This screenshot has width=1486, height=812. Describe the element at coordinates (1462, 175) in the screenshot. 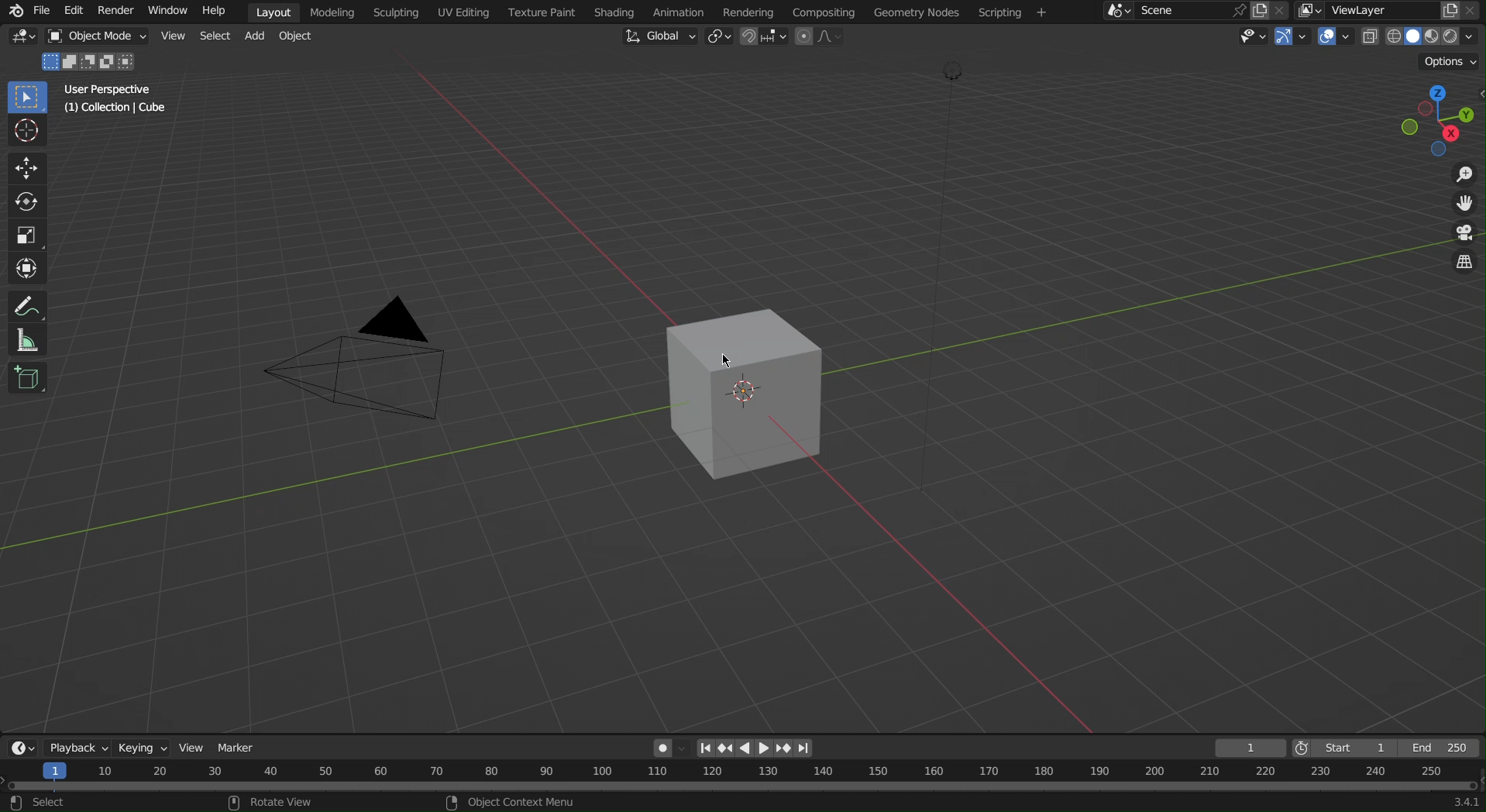

I see `Zoom` at that location.